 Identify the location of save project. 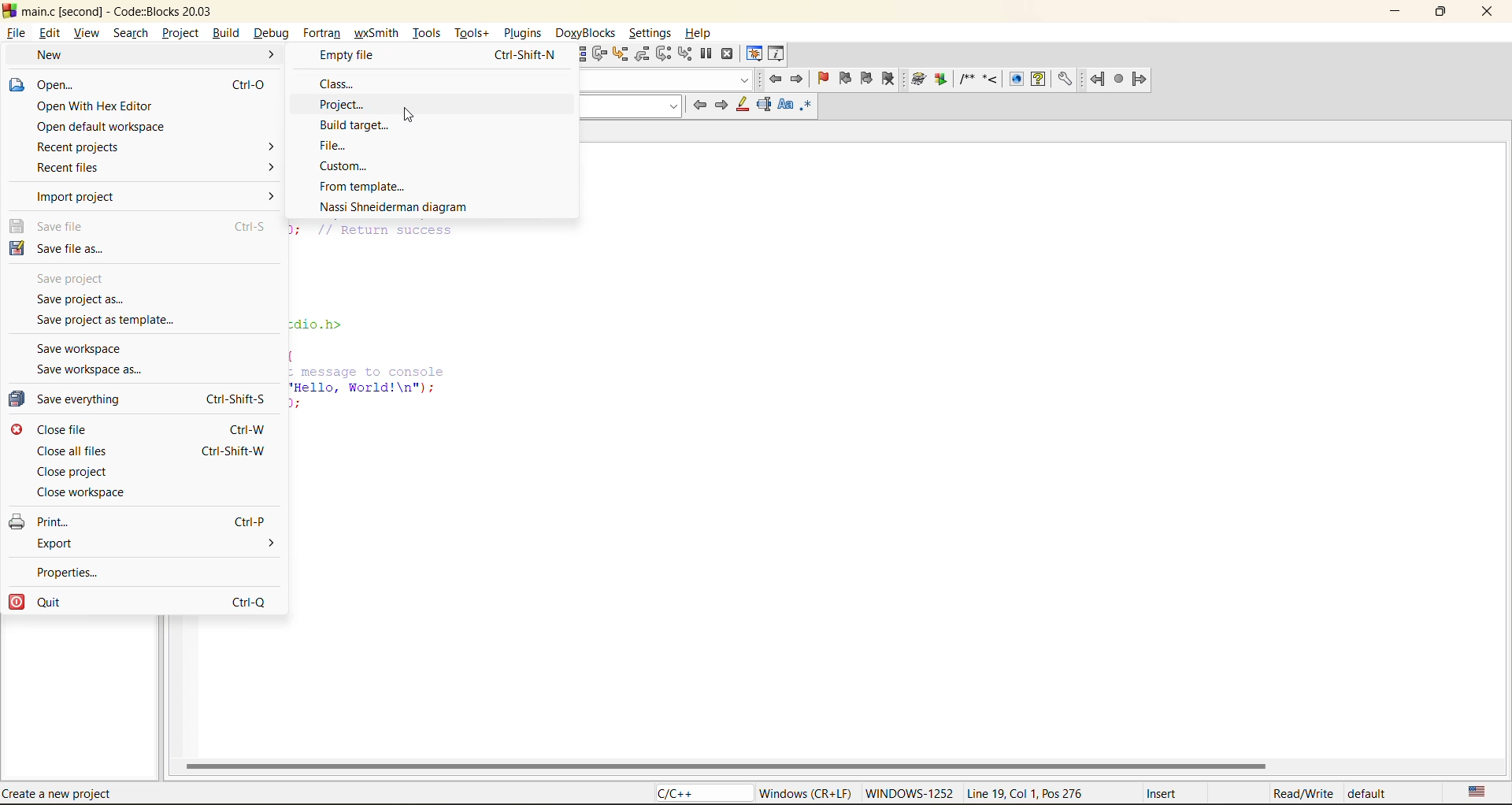
(75, 276).